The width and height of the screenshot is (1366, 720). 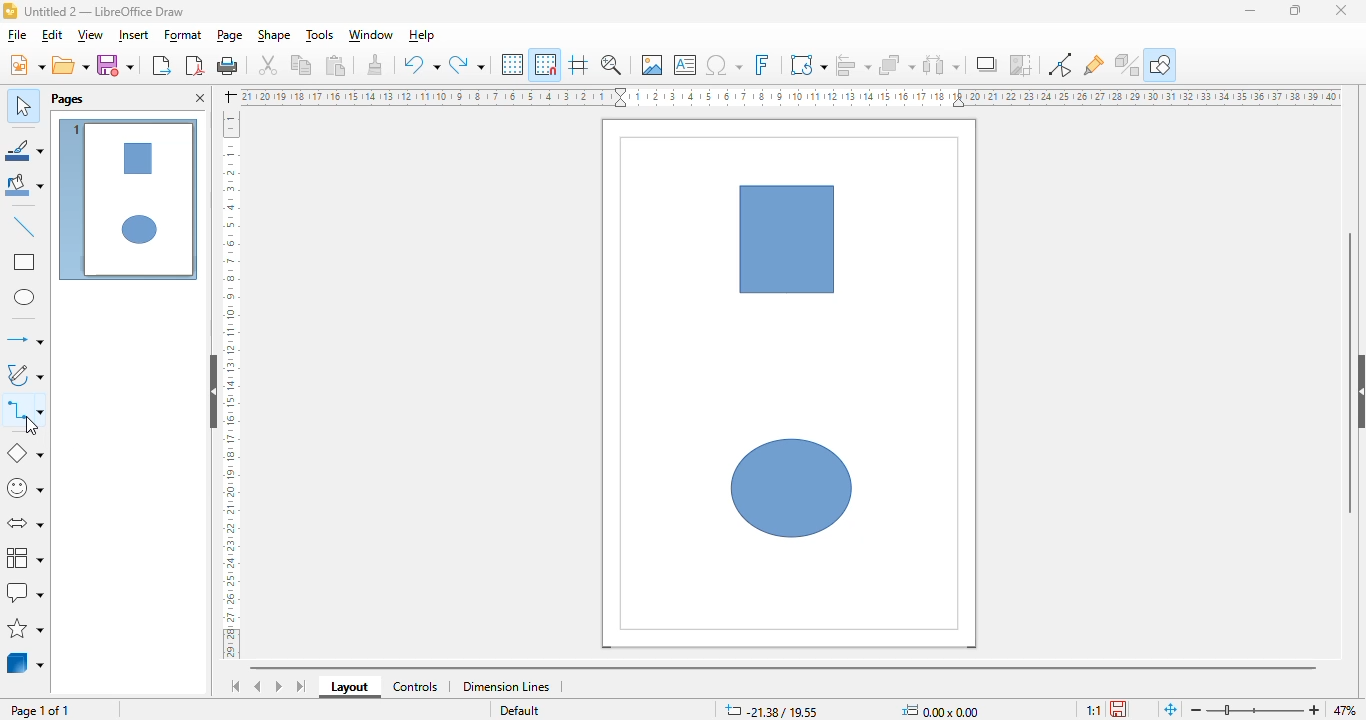 I want to click on shadow, so click(x=988, y=65).